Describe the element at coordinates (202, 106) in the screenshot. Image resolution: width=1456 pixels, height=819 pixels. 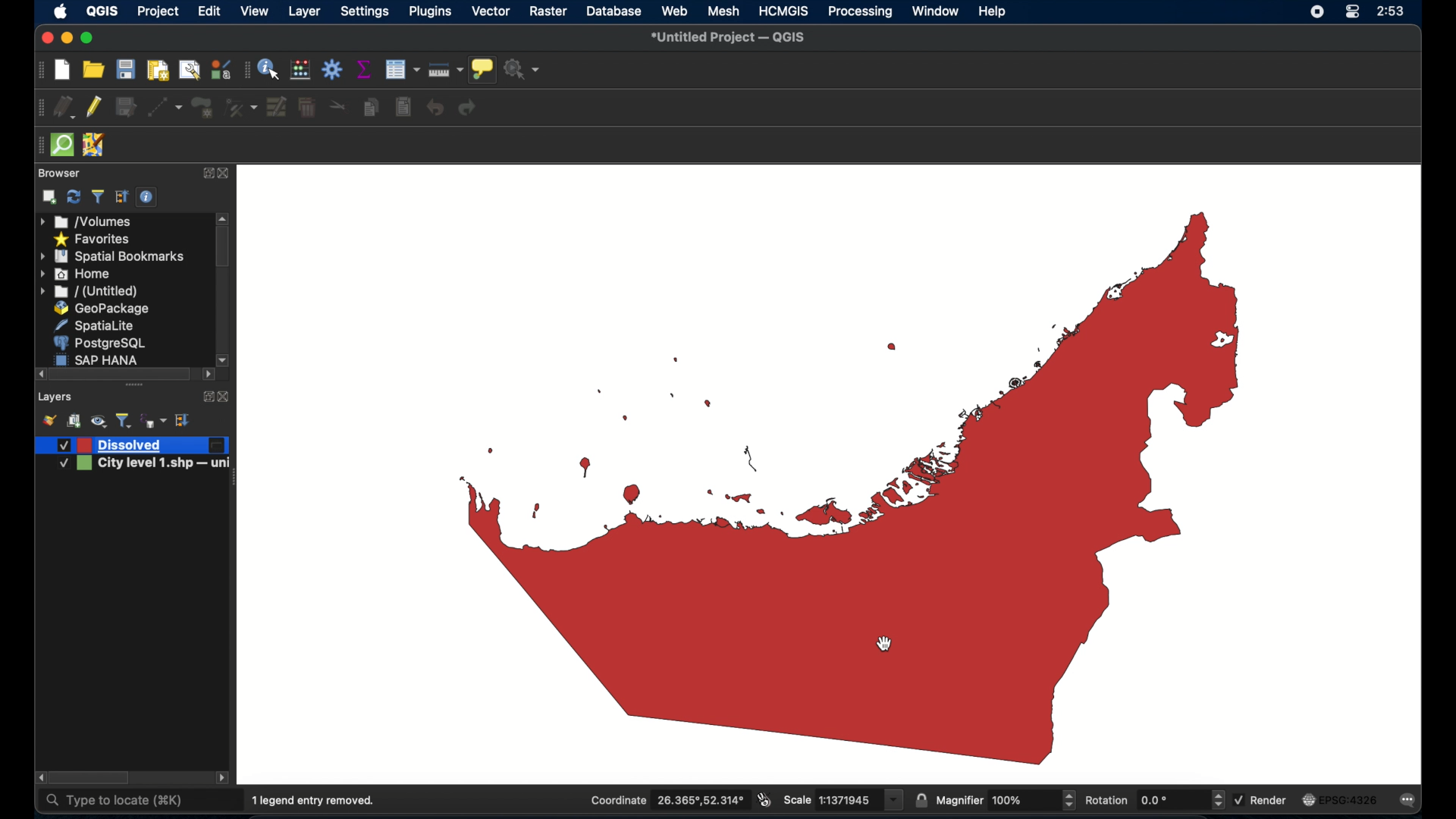
I see `add polygon feature` at that location.